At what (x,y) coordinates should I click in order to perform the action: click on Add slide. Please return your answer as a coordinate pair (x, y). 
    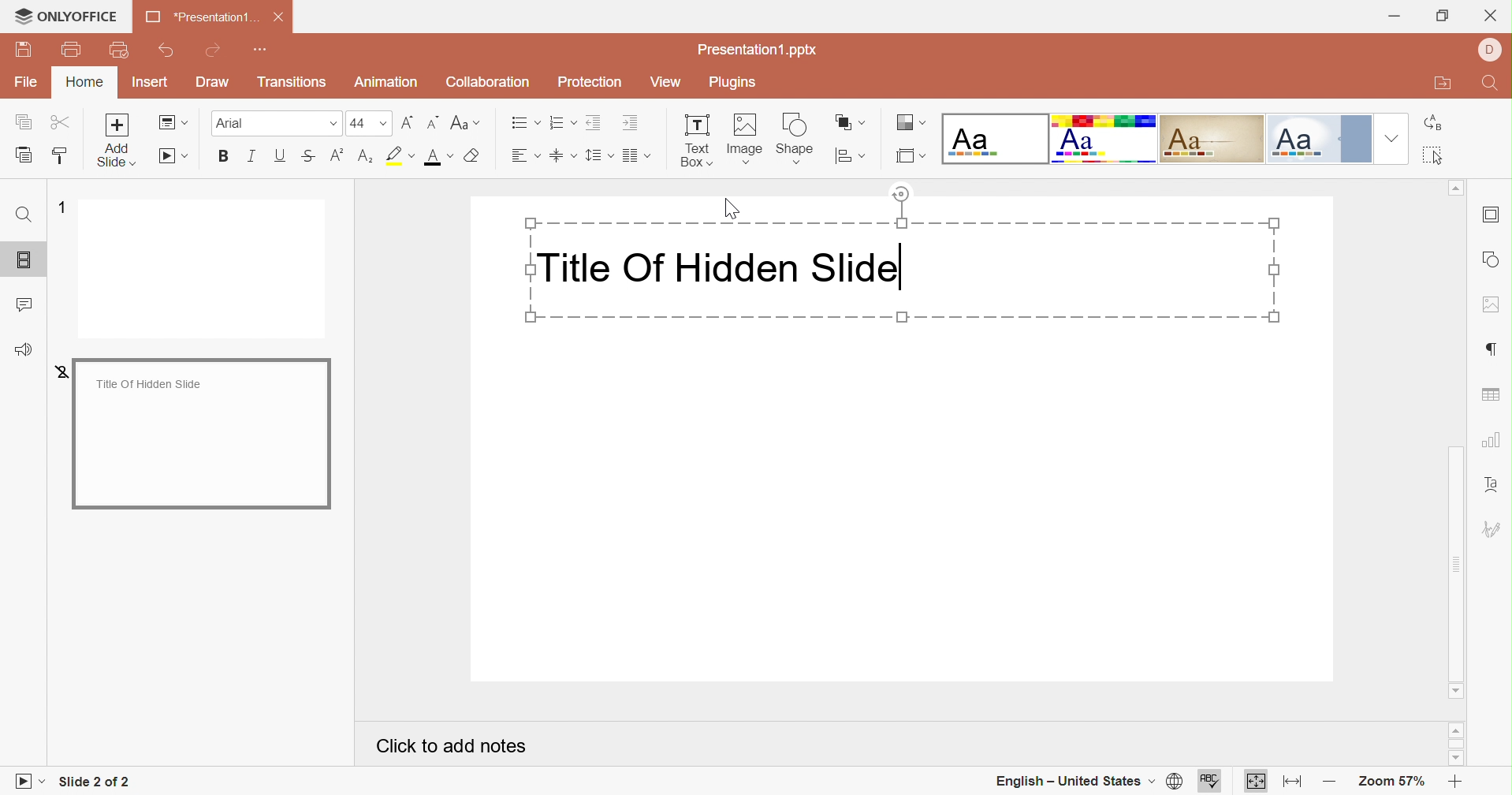
    Looking at the image, I should click on (117, 125).